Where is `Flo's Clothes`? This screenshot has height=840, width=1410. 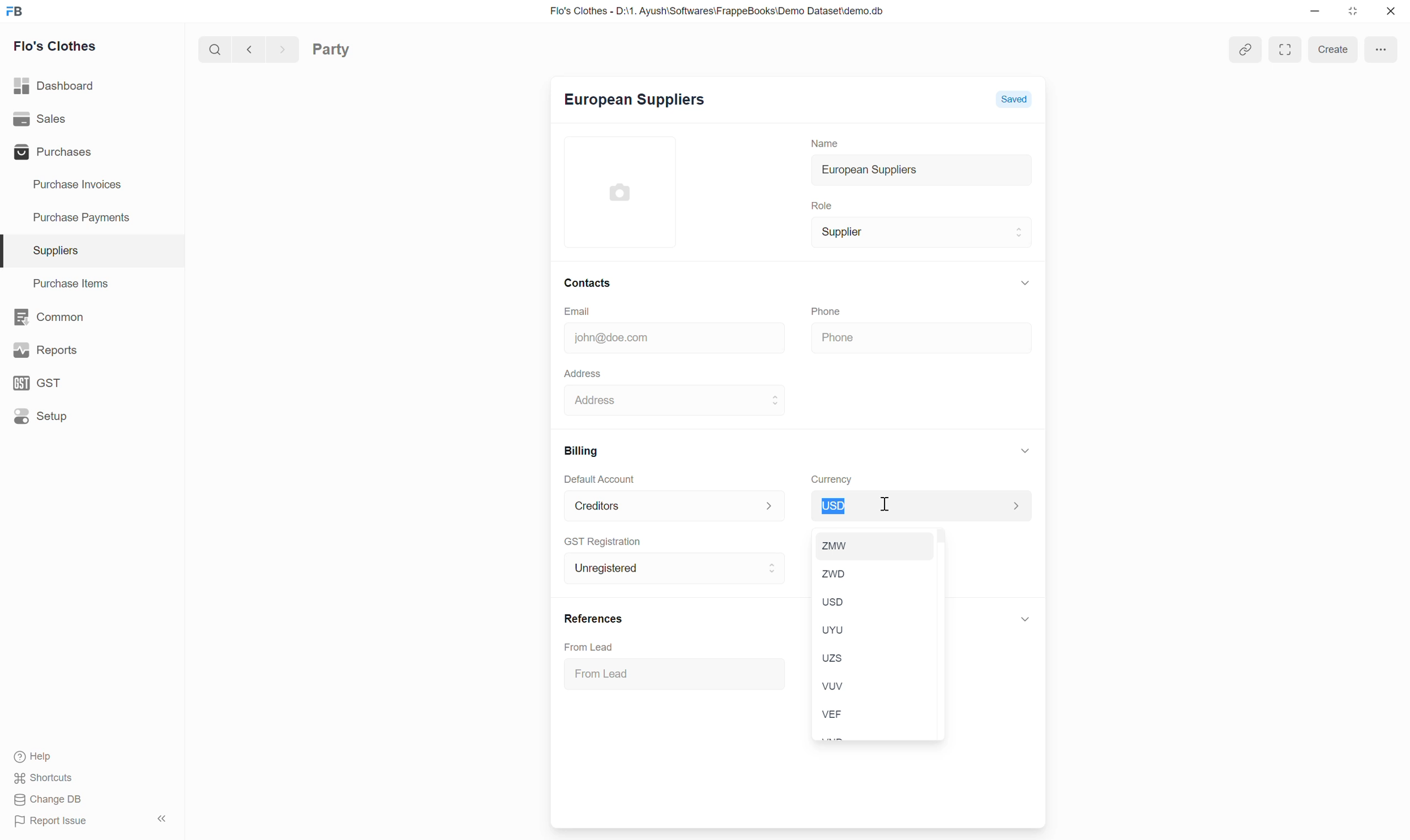 Flo's Clothes is located at coordinates (53, 46).